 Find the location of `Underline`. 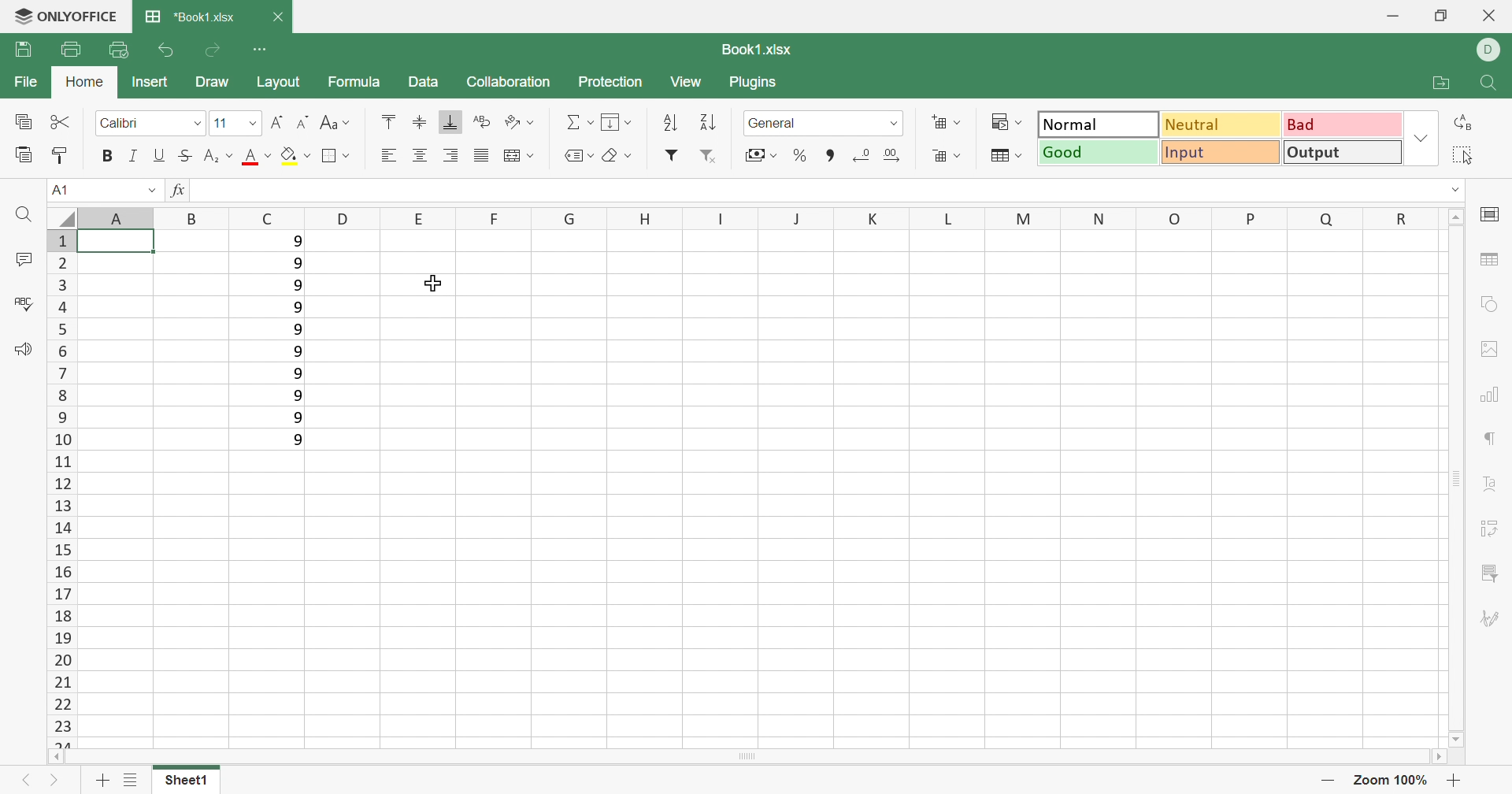

Underline is located at coordinates (159, 155).